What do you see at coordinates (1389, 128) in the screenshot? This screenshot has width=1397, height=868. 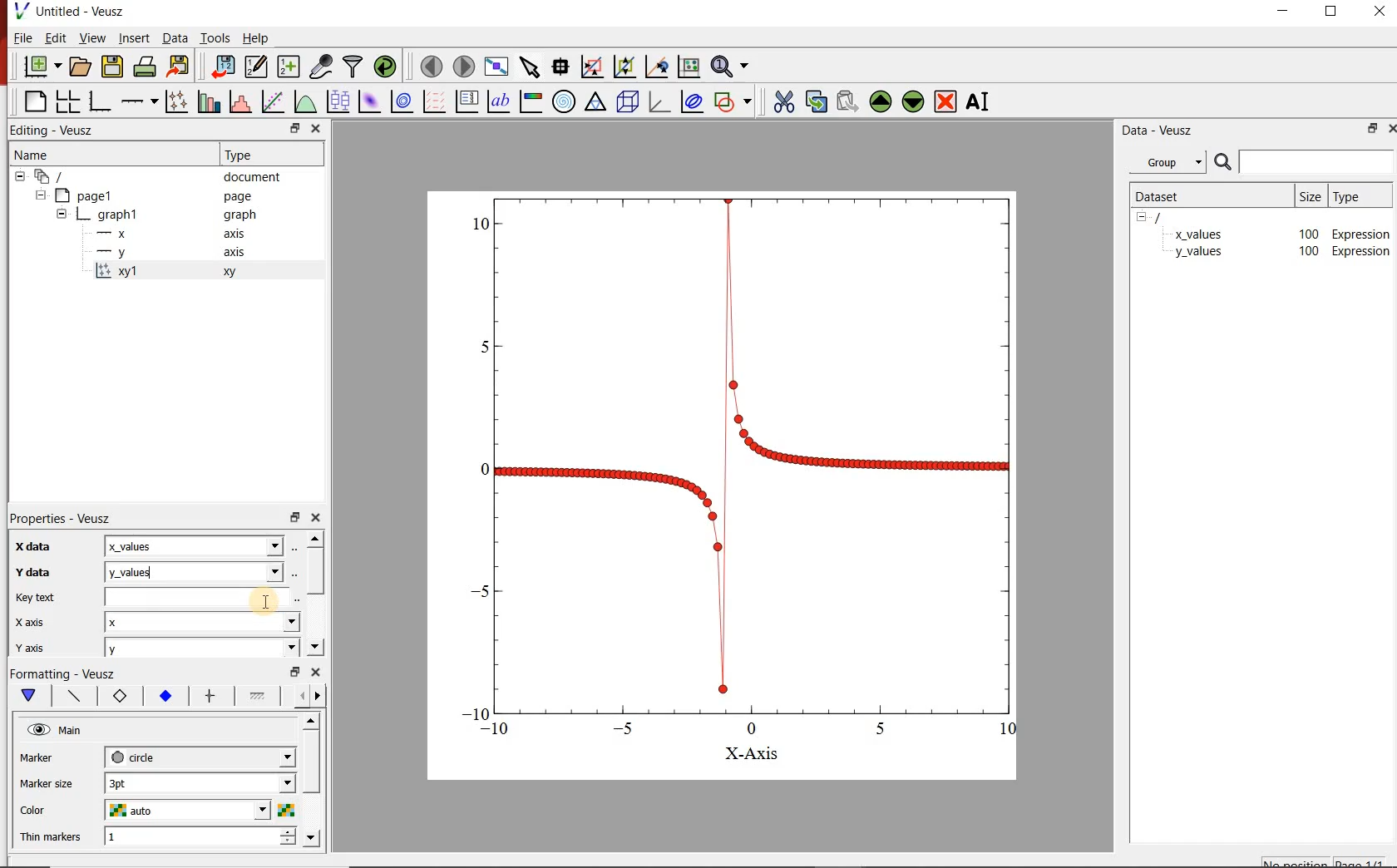 I see `close` at bounding box center [1389, 128].